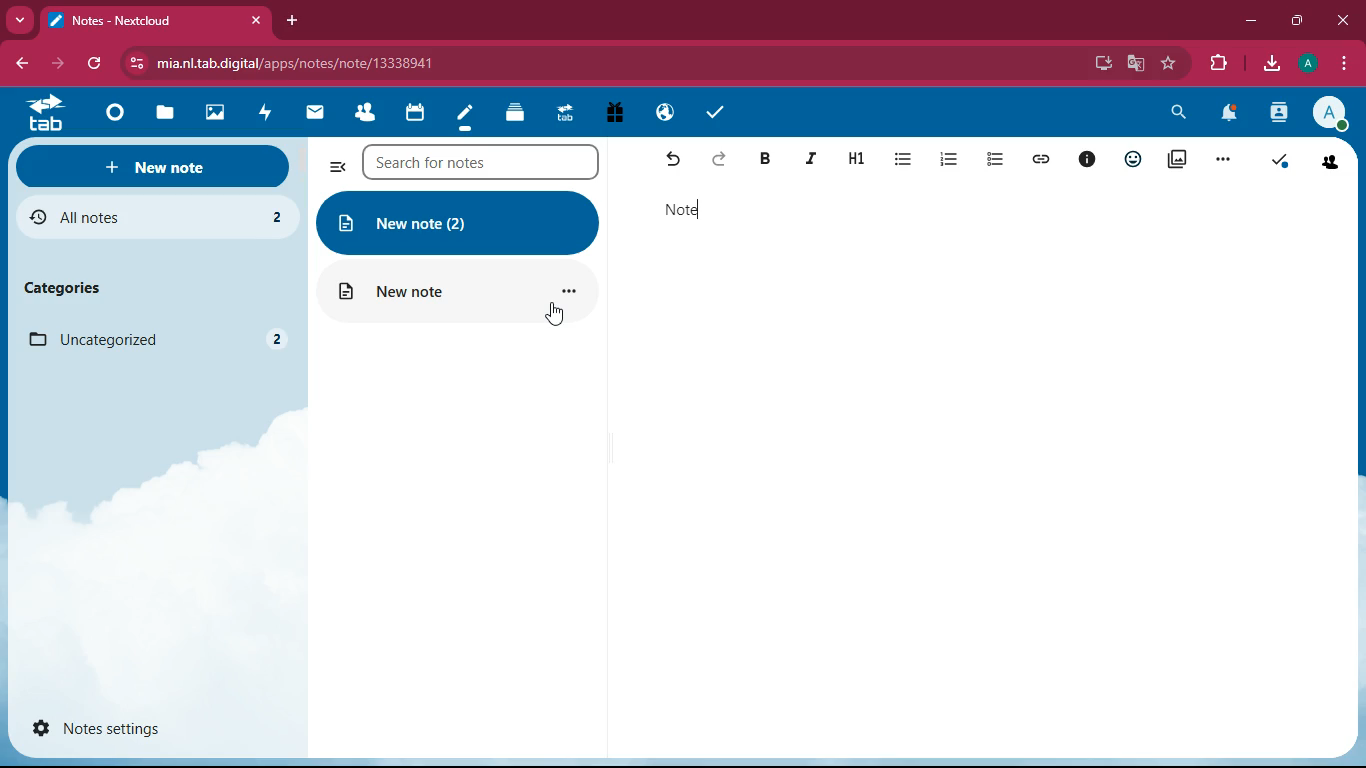 Image resolution: width=1366 pixels, height=768 pixels. What do you see at coordinates (154, 165) in the screenshot?
I see `new note` at bounding box center [154, 165].